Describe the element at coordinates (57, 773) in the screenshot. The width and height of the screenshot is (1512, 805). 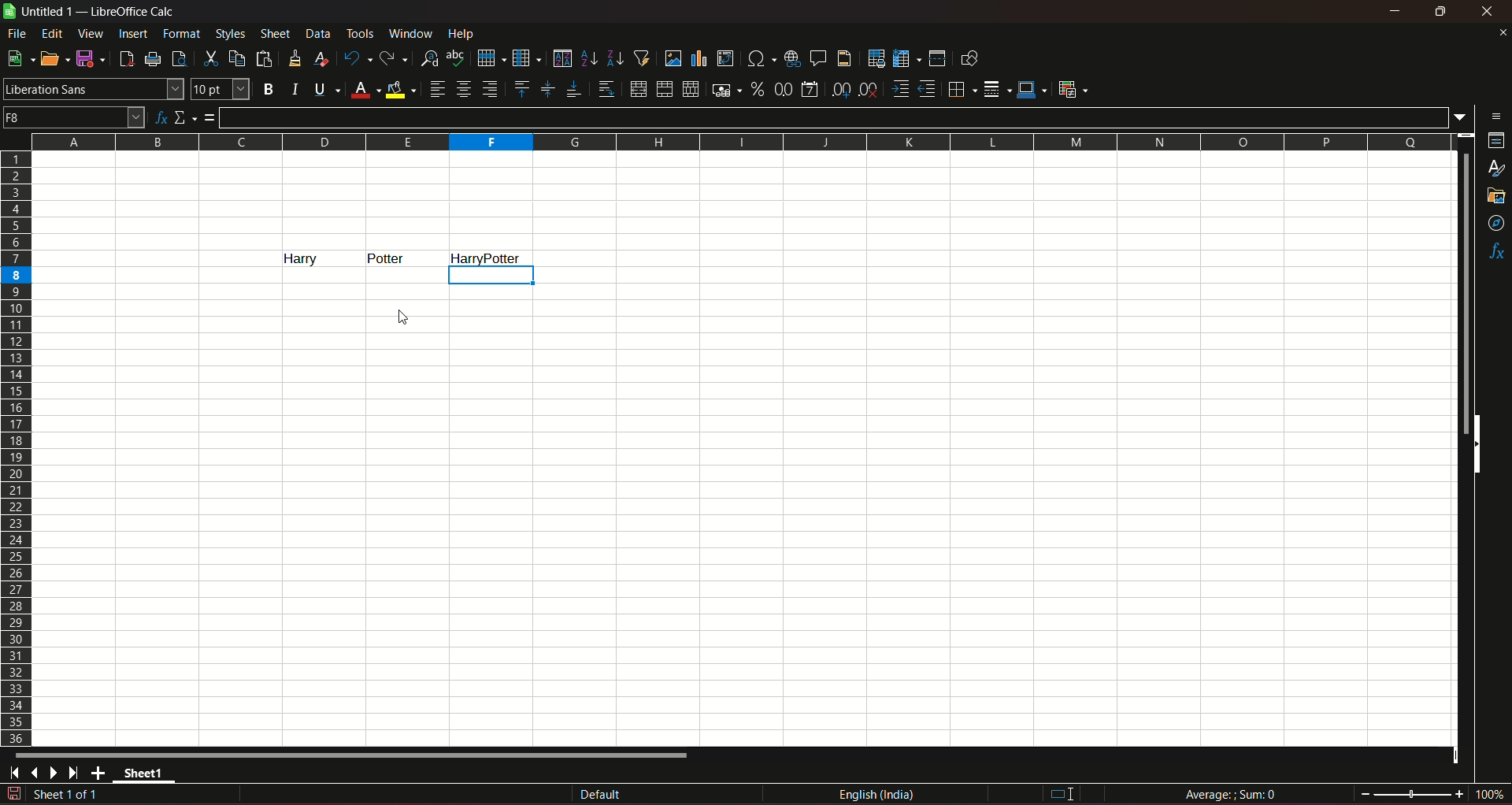
I see `scroll to next` at that location.